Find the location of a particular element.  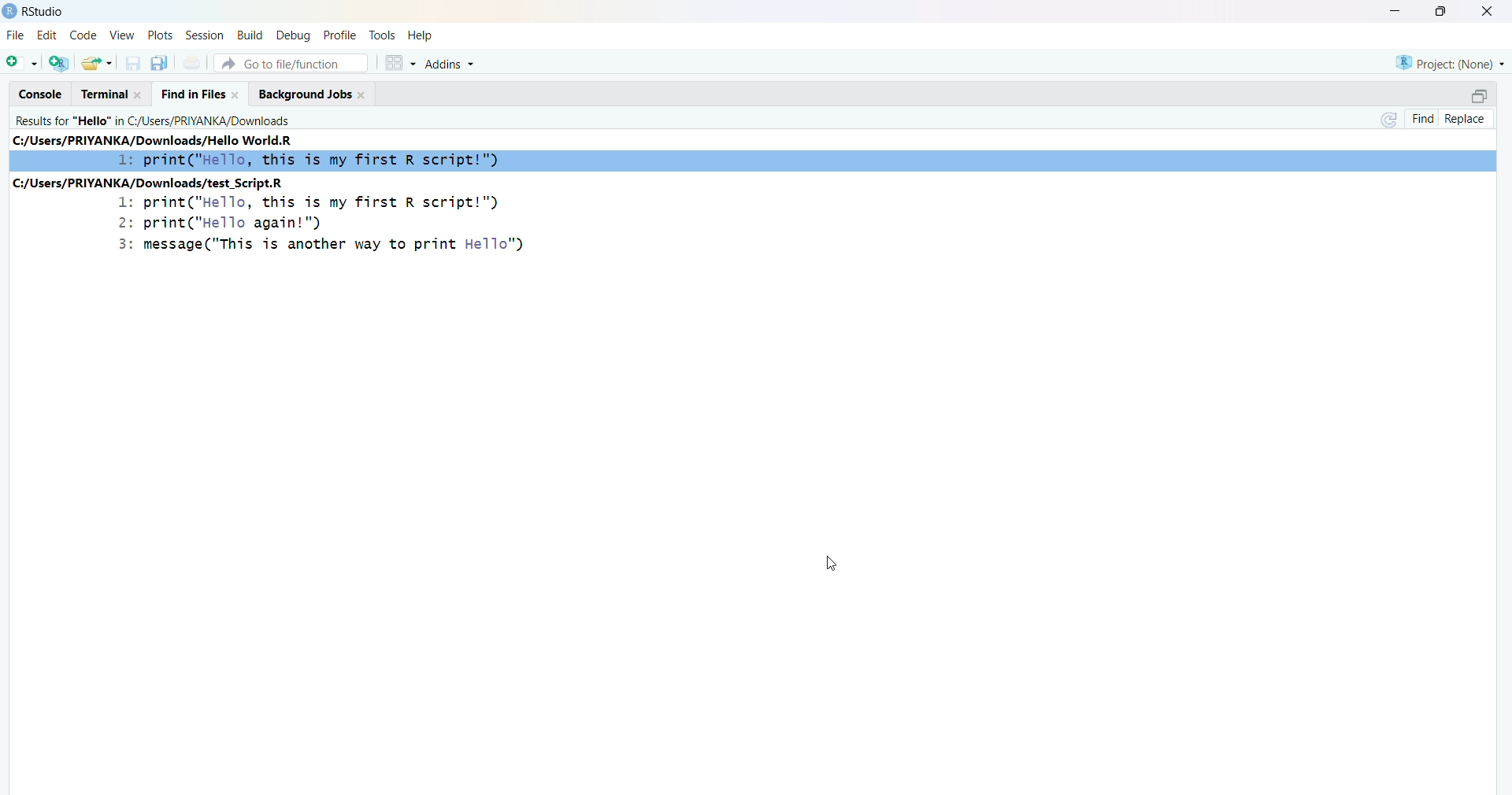

file is located at coordinates (17, 34).